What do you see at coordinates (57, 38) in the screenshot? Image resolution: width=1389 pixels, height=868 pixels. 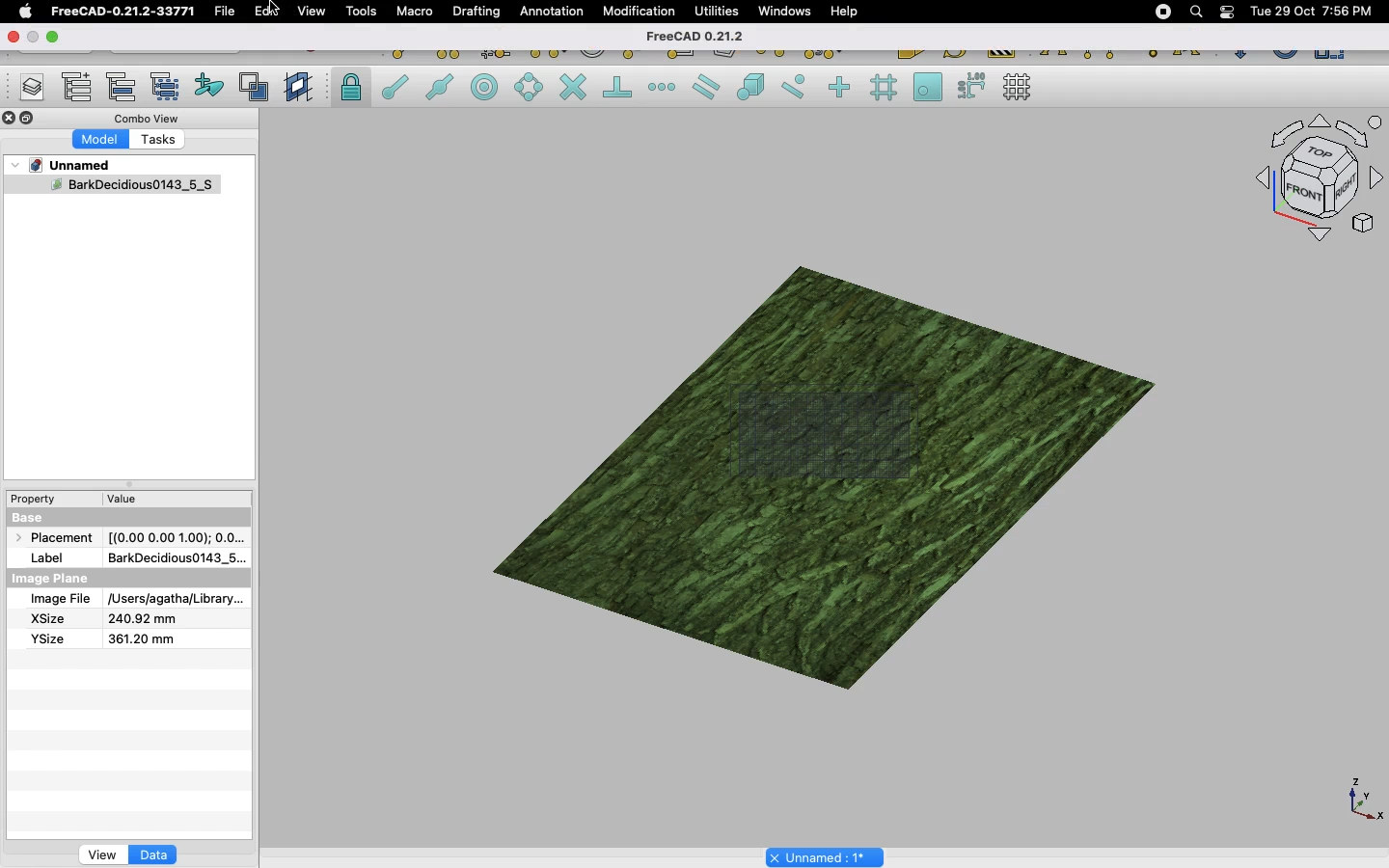 I see `open` at bounding box center [57, 38].